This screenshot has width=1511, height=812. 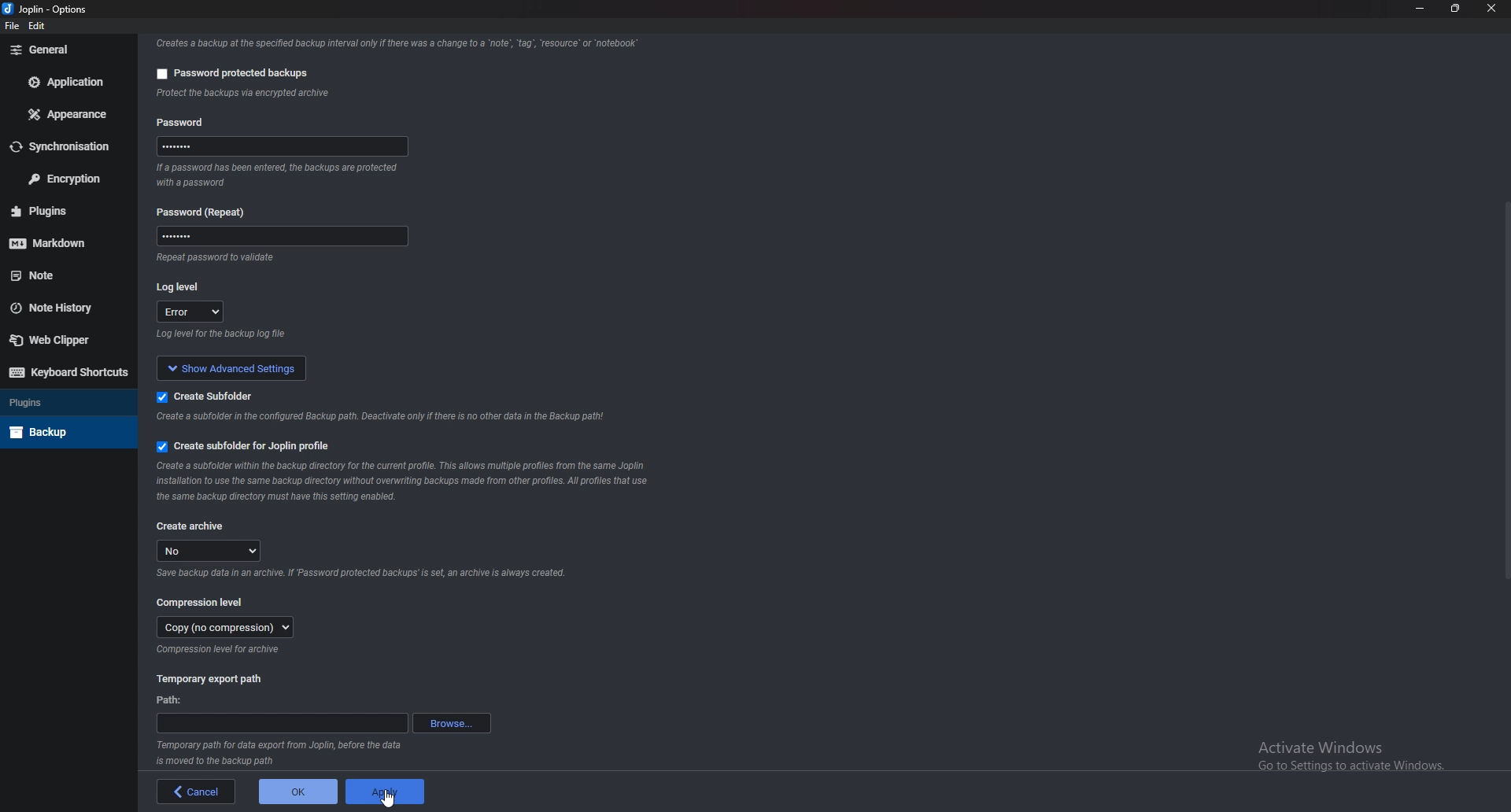 What do you see at coordinates (65, 178) in the screenshot?
I see `Encryption` at bounding box center [65, 178].